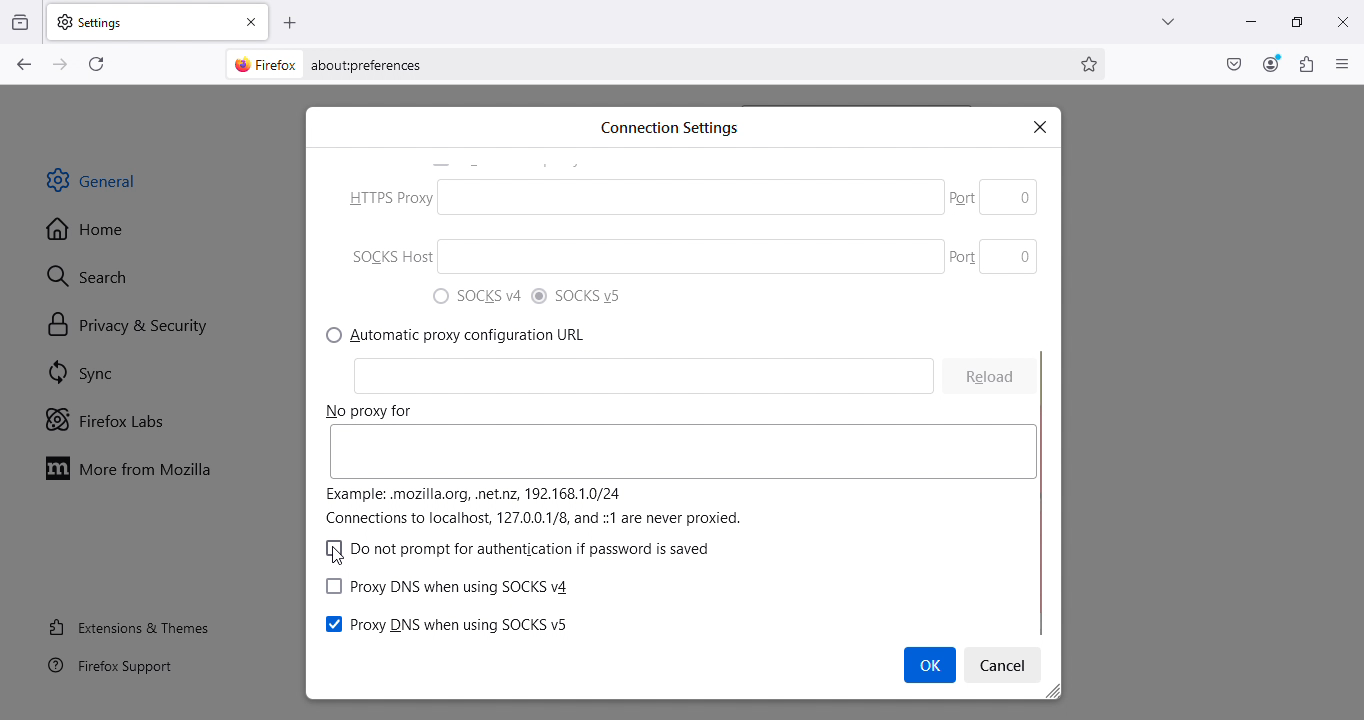 The width and height of the screenshot is (1364, 720). I want to click on Cleon 0, so click(990, 382).